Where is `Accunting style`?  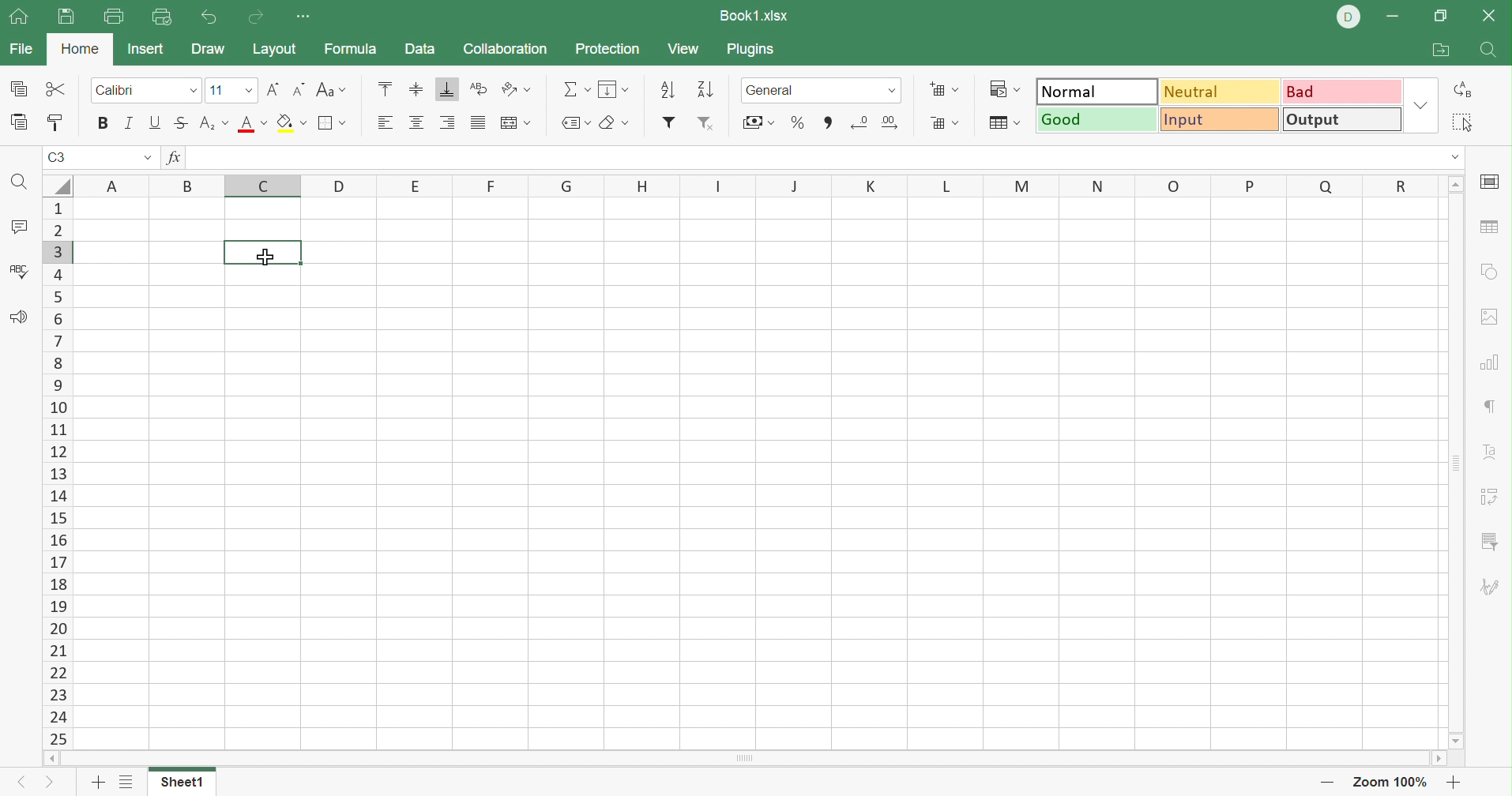
Accunting style is located at coordinates (762, 122).